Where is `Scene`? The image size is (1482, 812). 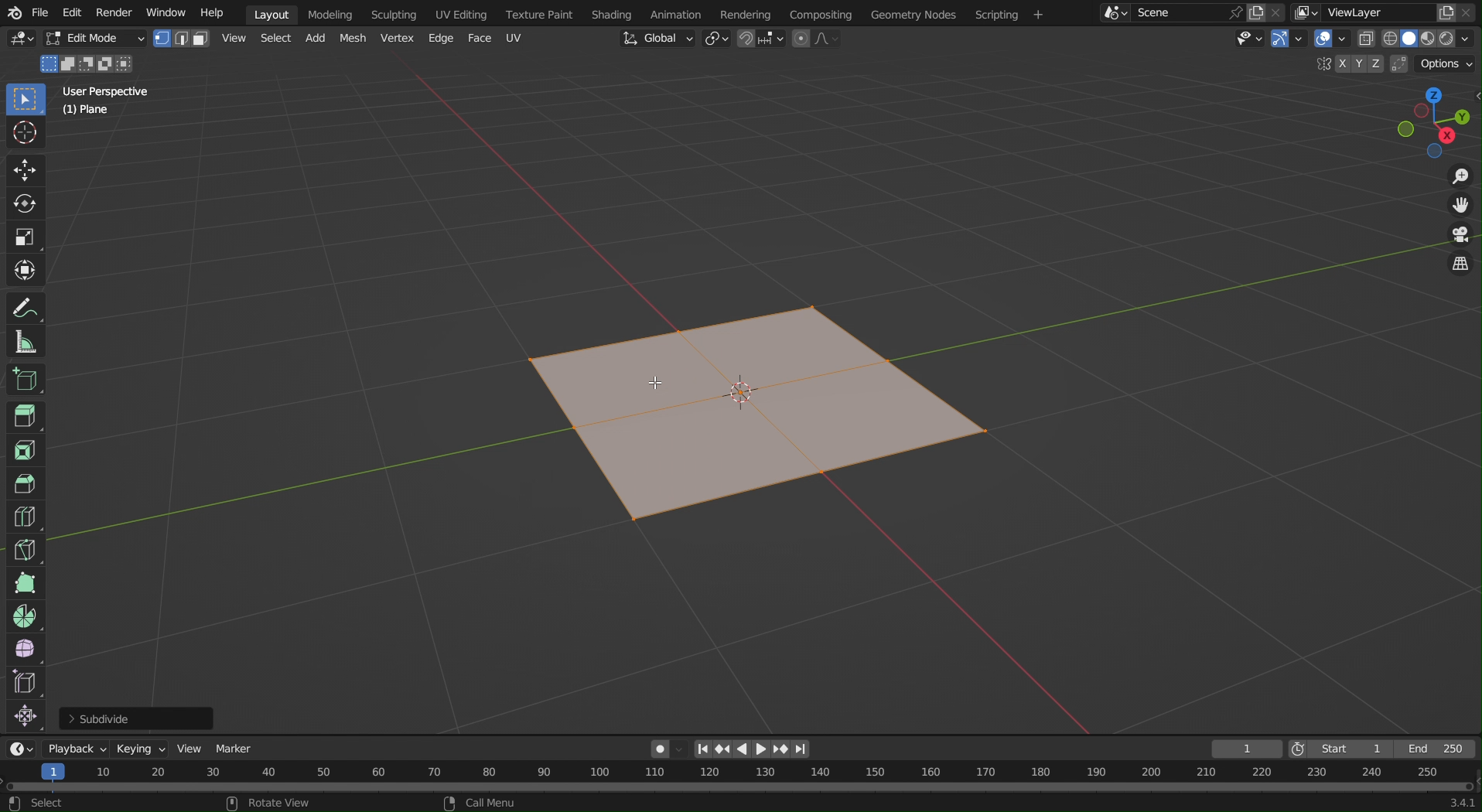 Scene is located at coordinates (1171, 12).